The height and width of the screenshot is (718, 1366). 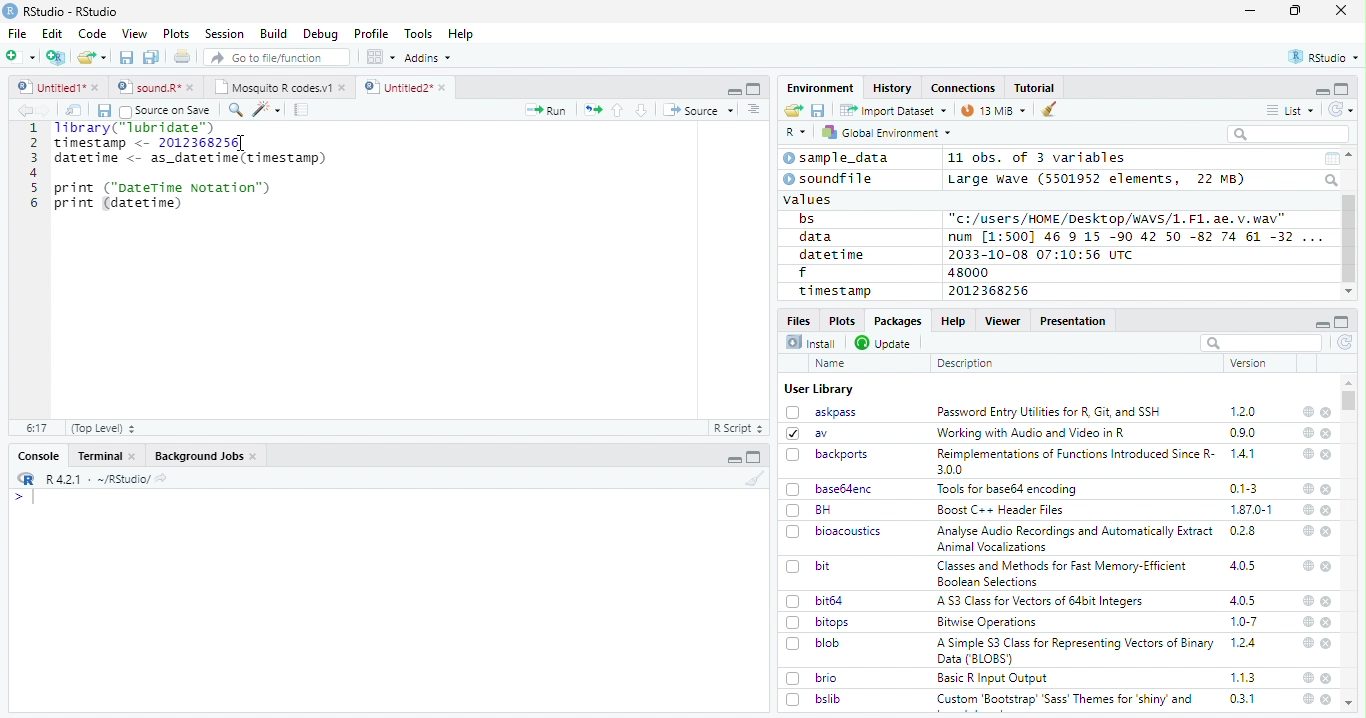 What do you see at coordinates (1042, 254) in the screenshot?
I see `2033-10-08 07:10:56 UTC` at bounding box center [1042, 254].